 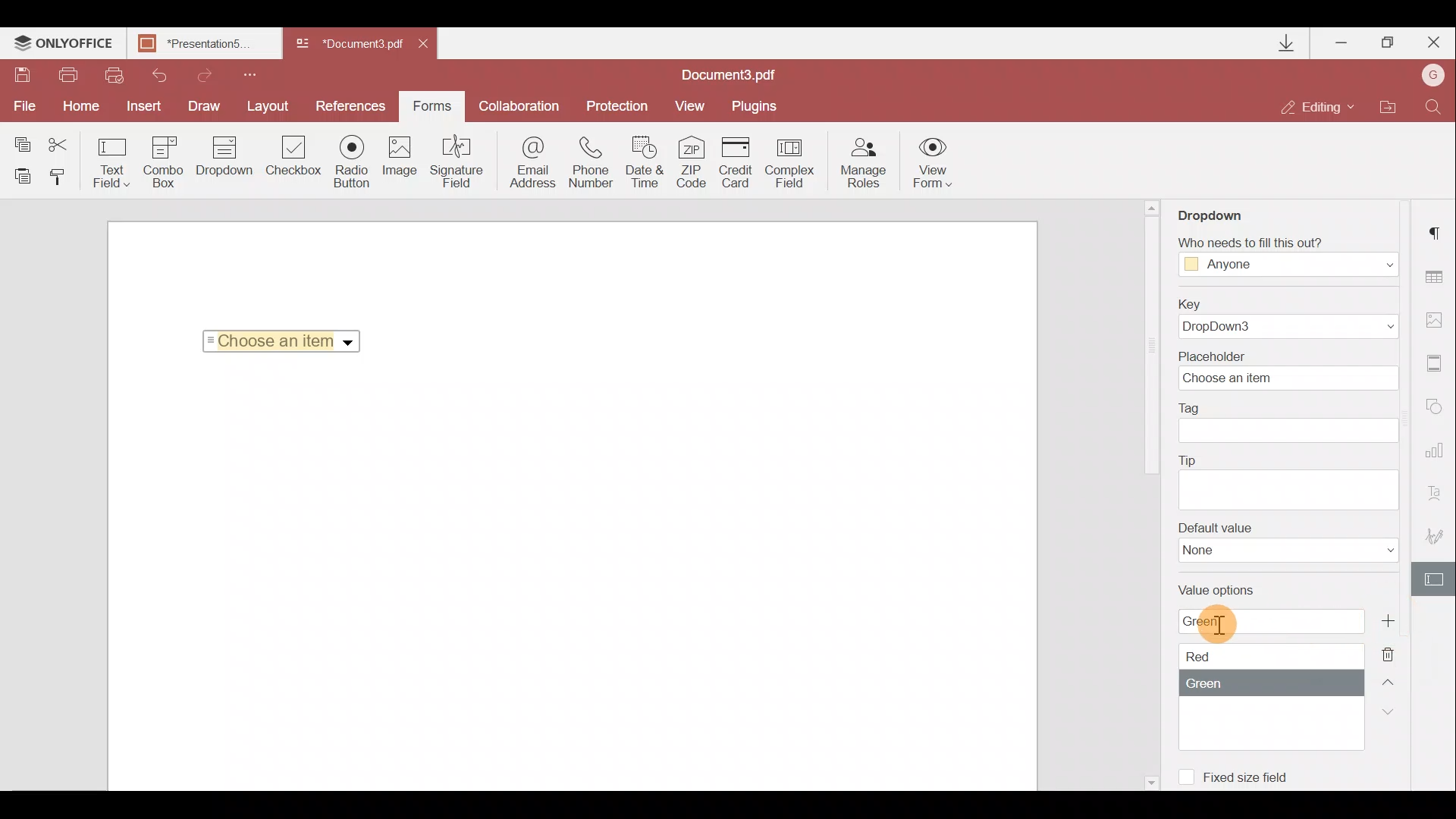 What do you see at coordinates (352, 106) in the screenshot?
I see `Preferences` at bounding box center [352, 106].